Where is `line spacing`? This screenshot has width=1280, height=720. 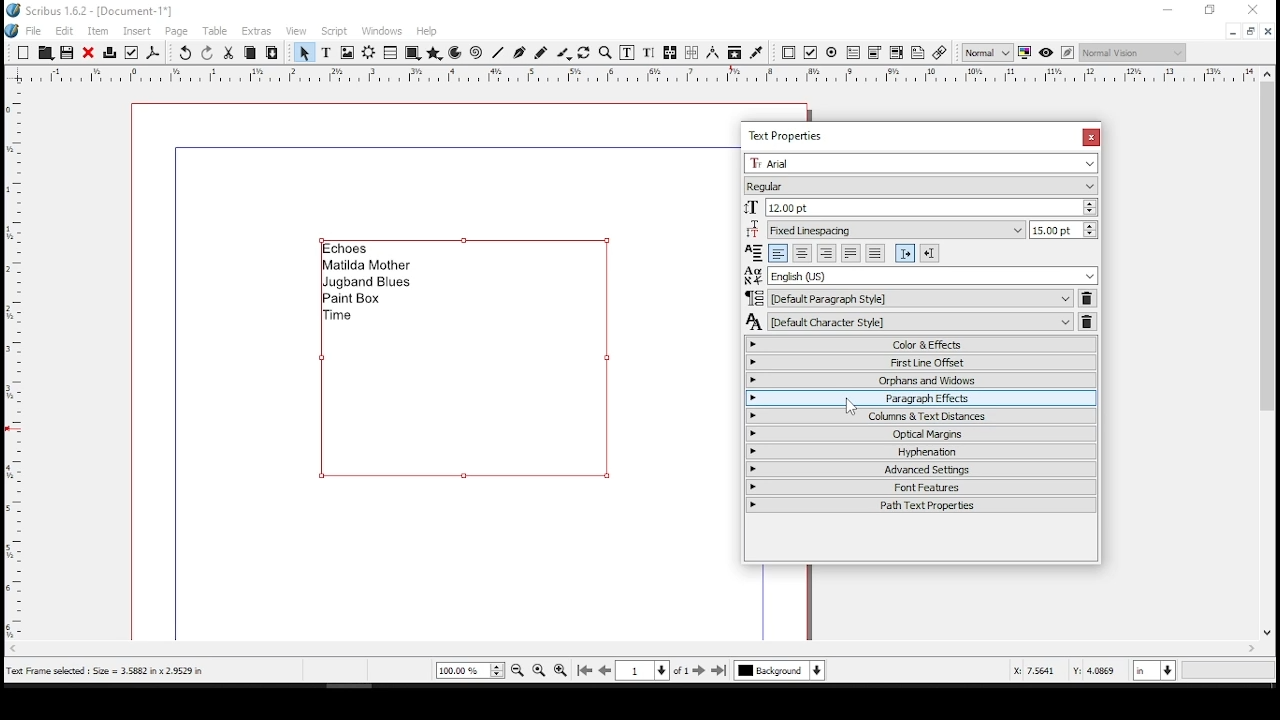 line spacing is located at coordinates (1062, 229).